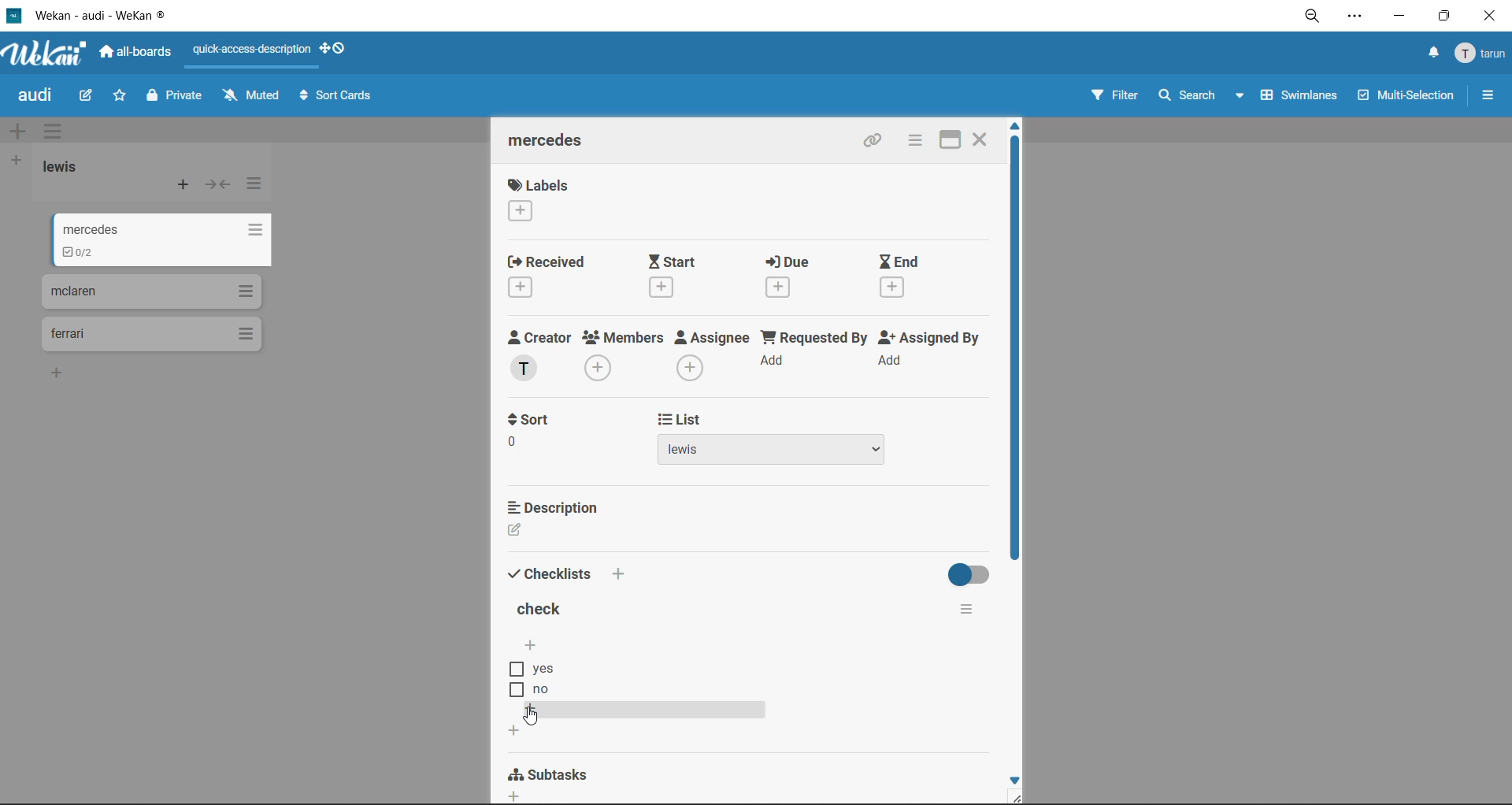 This screenshot has width=1512, height=805. Describe the element at coordinates (543, 668) in the screenshot. I see `yes` at that location.